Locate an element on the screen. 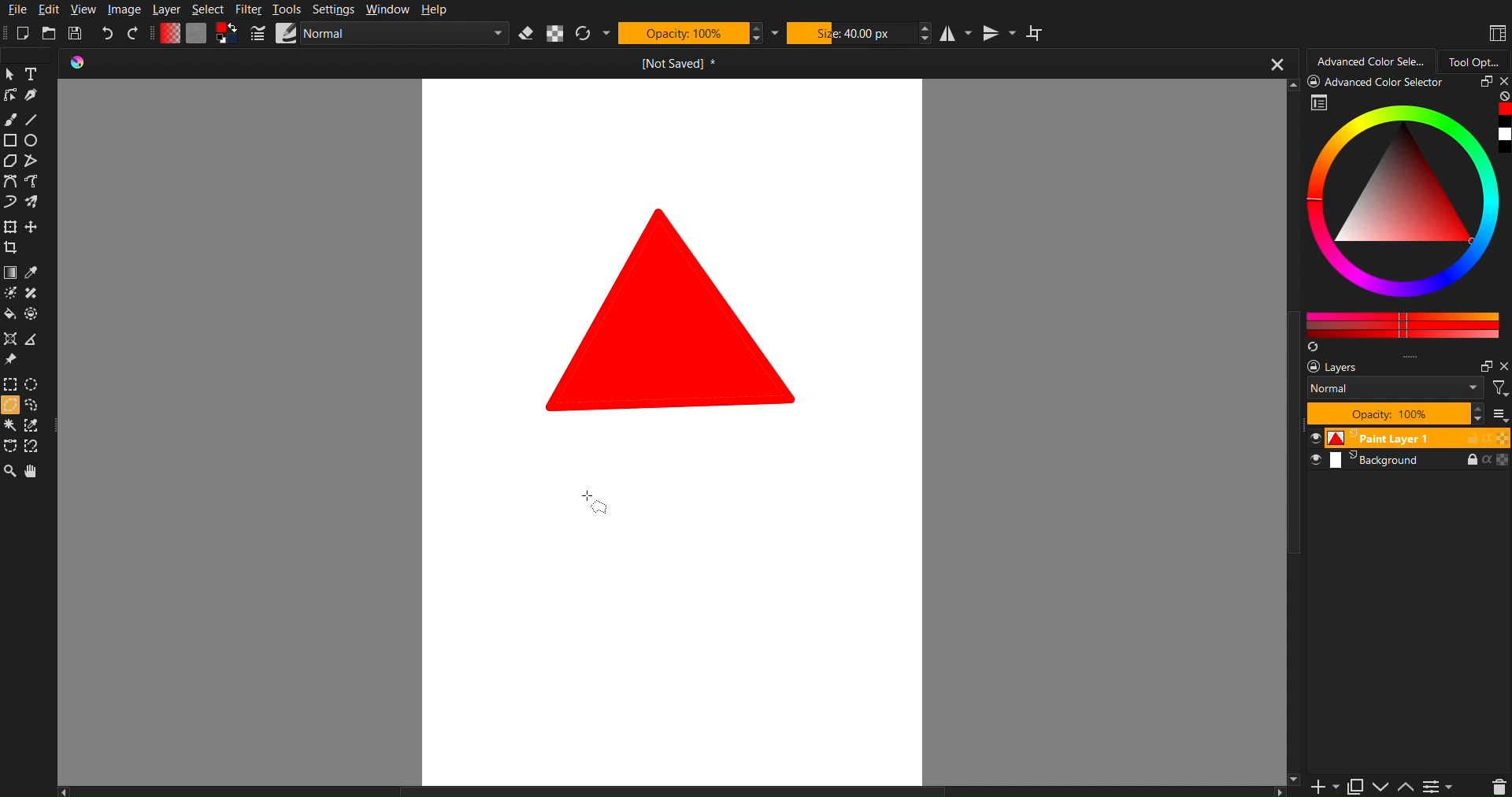  Brightness is located at coordinates (9, 293).